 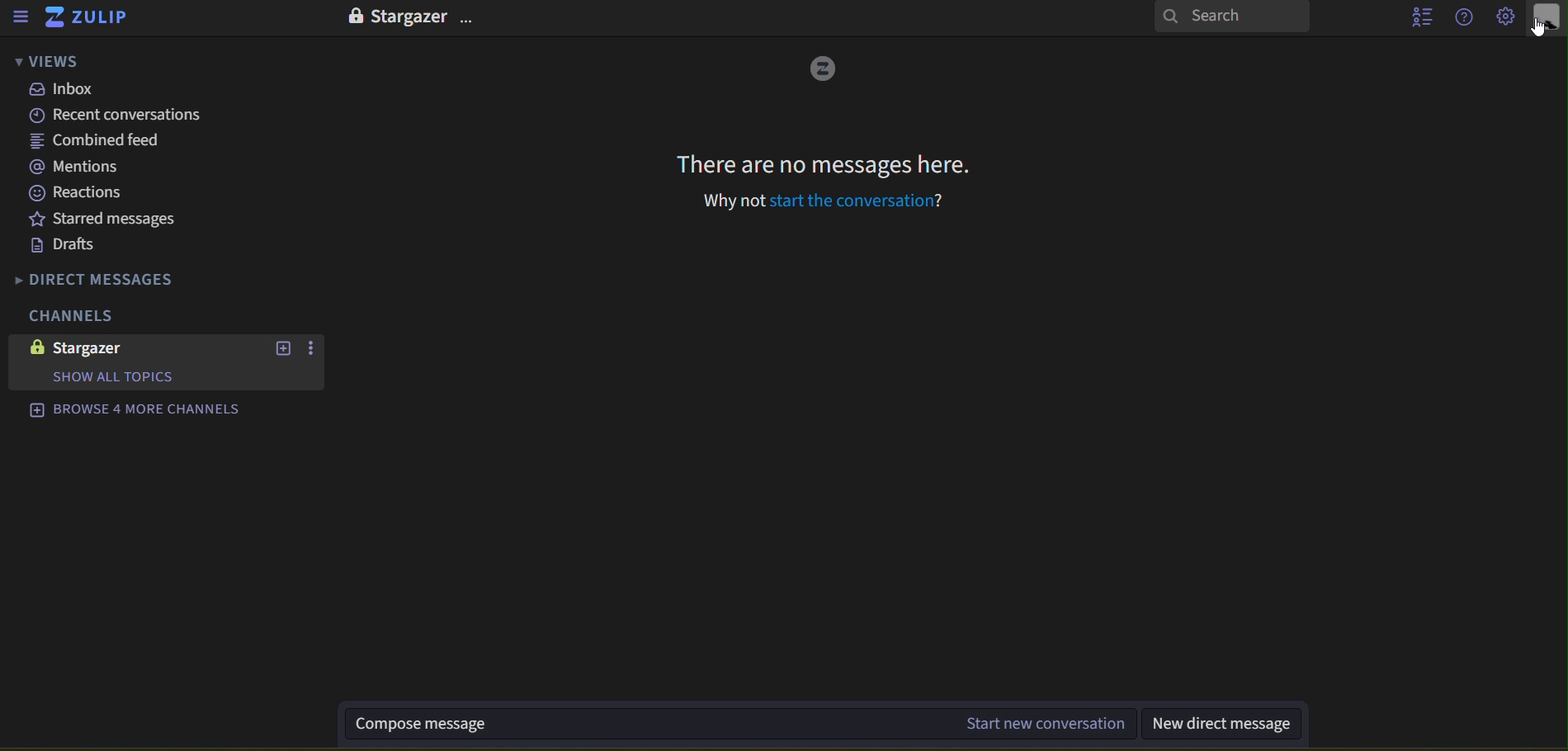 I want to click on views, so click(x=44, y=63).